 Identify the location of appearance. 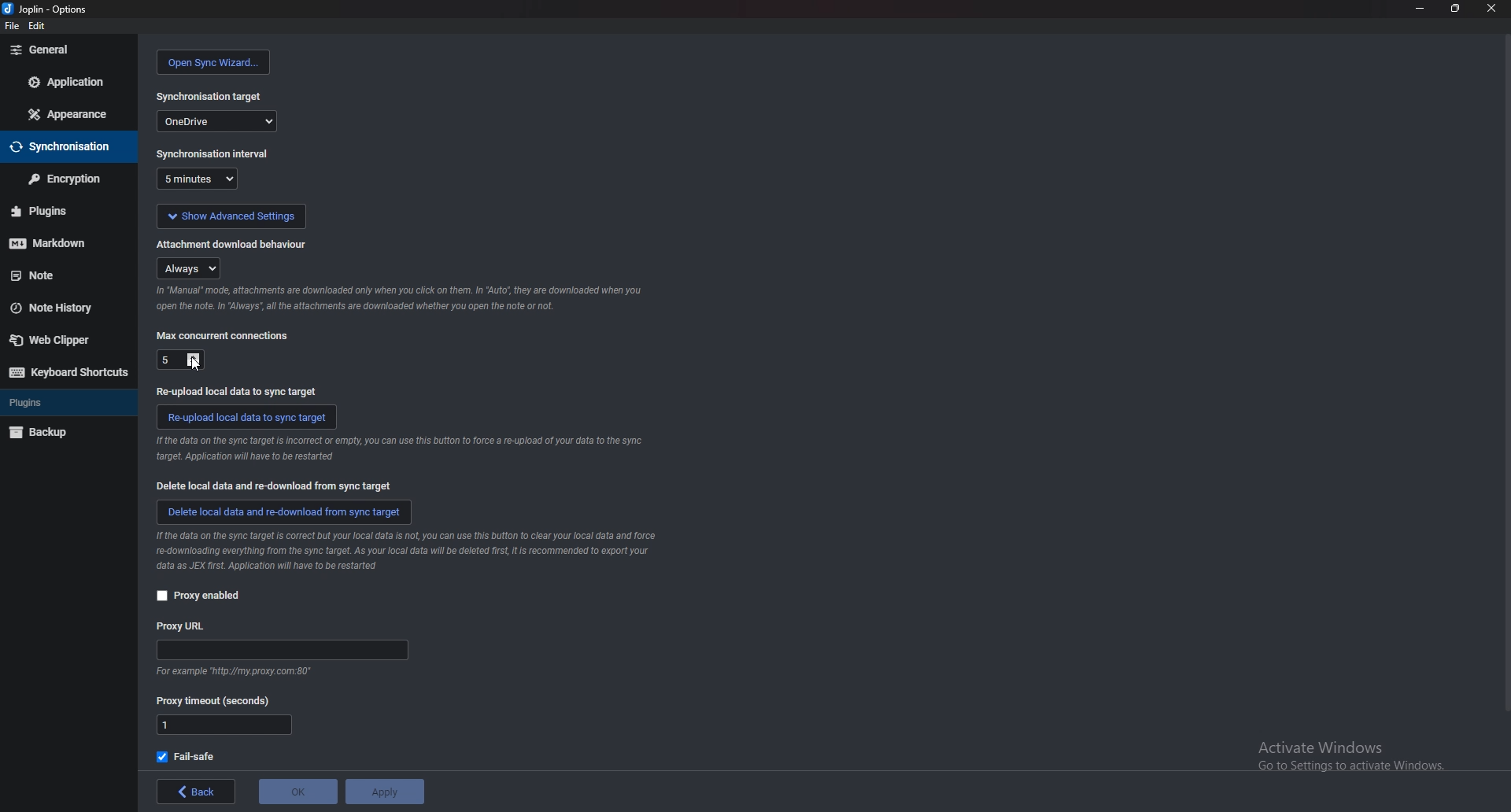
(68, 114).